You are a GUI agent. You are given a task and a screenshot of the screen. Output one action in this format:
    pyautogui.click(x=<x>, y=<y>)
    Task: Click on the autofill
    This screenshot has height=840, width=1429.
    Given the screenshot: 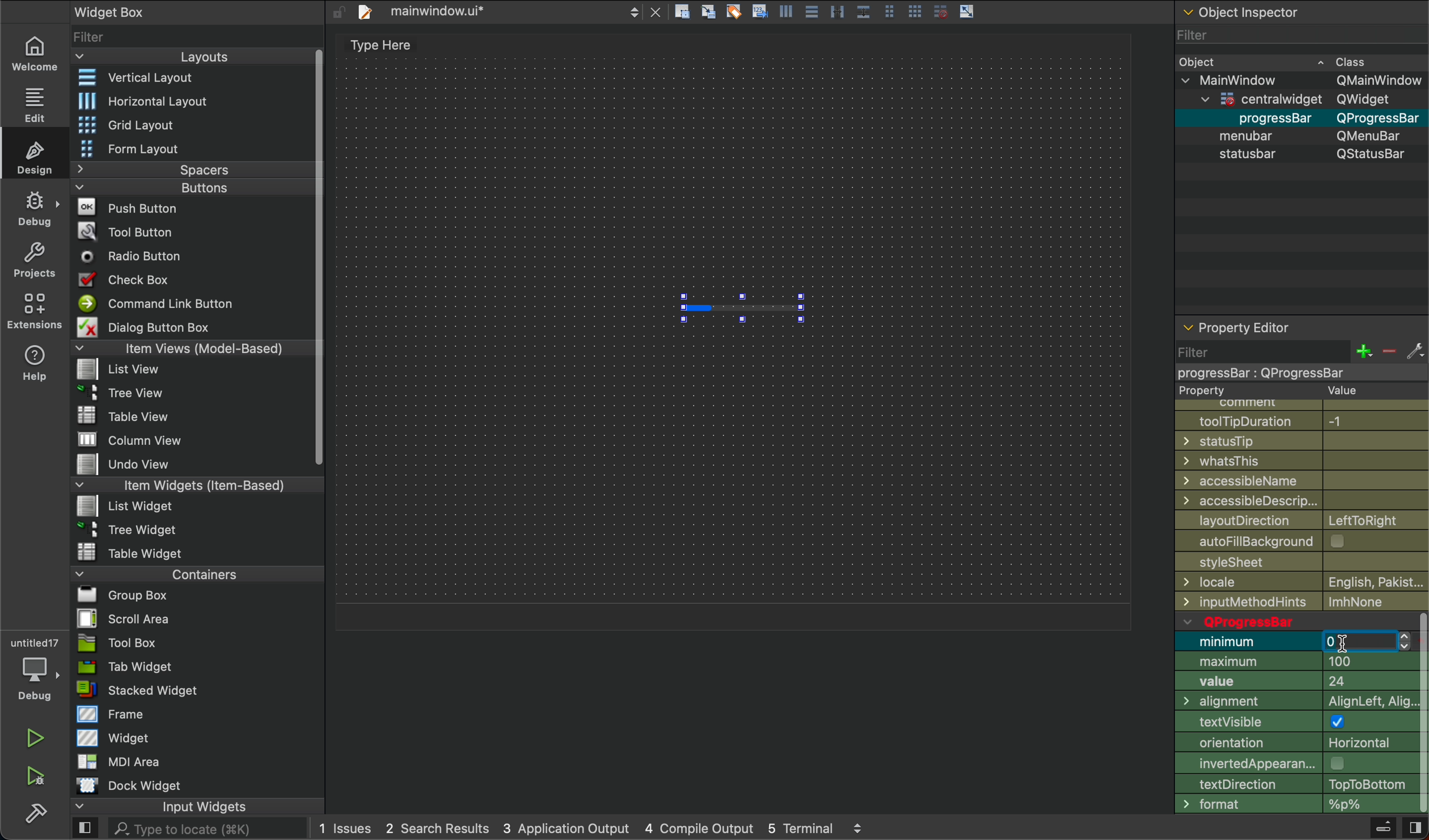 What is the action you would take?
    pyautogui.click(x=1307, y=542)
    